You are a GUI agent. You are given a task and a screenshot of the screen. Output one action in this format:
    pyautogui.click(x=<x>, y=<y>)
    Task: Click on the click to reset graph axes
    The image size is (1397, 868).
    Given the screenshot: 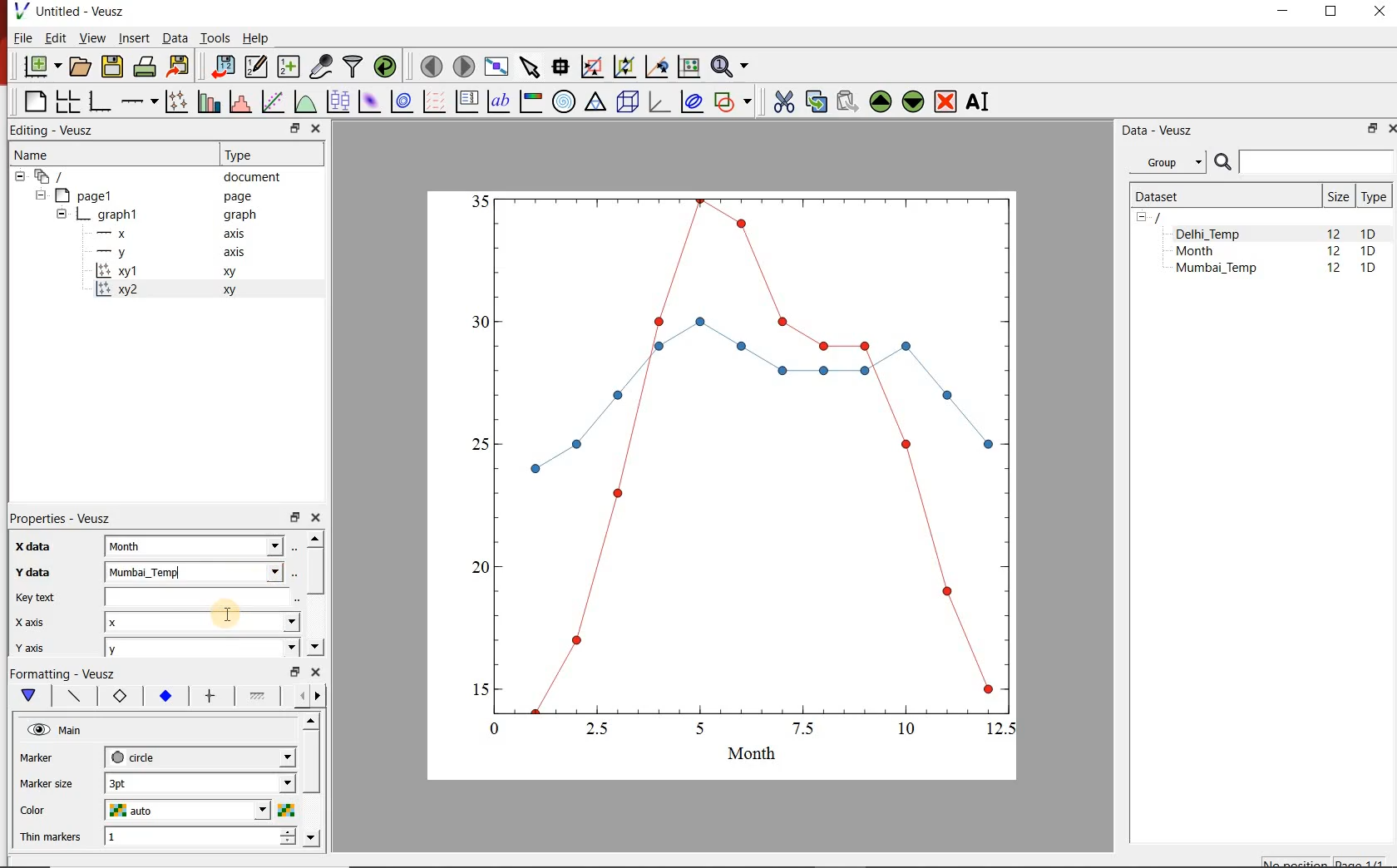 What is the action you would take?
    pyautogui.click(x=689, y=67)
    